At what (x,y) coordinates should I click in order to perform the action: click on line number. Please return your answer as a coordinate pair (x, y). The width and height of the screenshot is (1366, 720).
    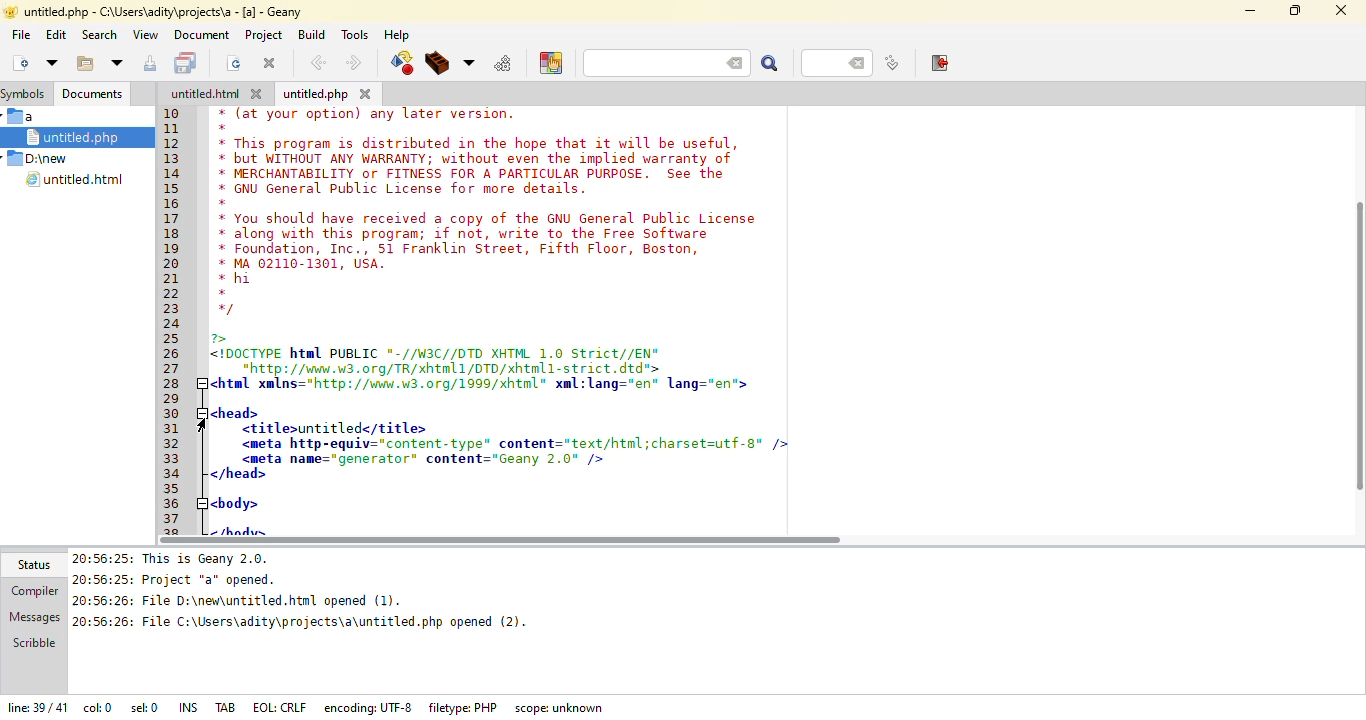
    Looking at the image, I should click on (822, 64).